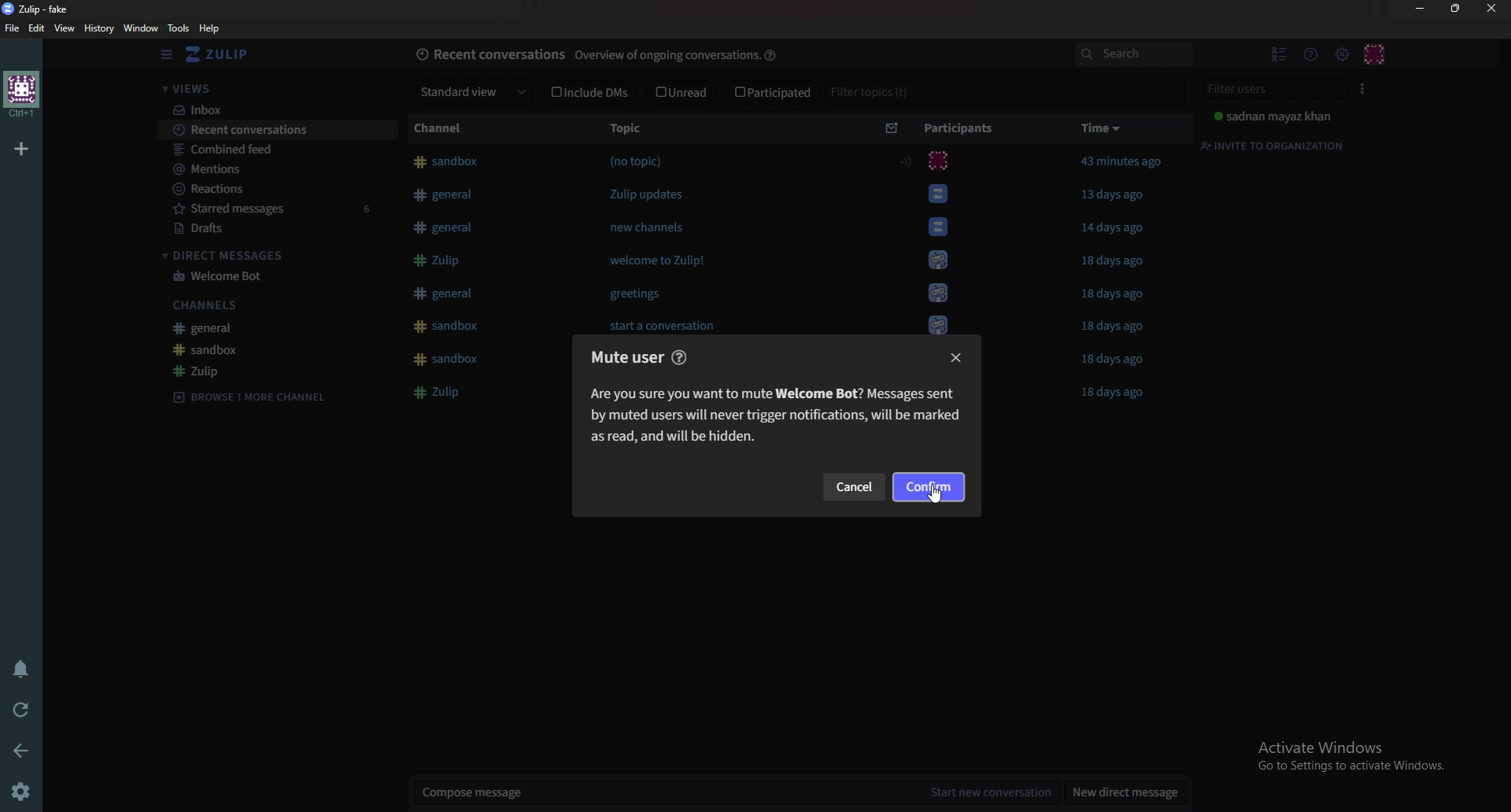  I want to click on Compose message, so click(673, 792).